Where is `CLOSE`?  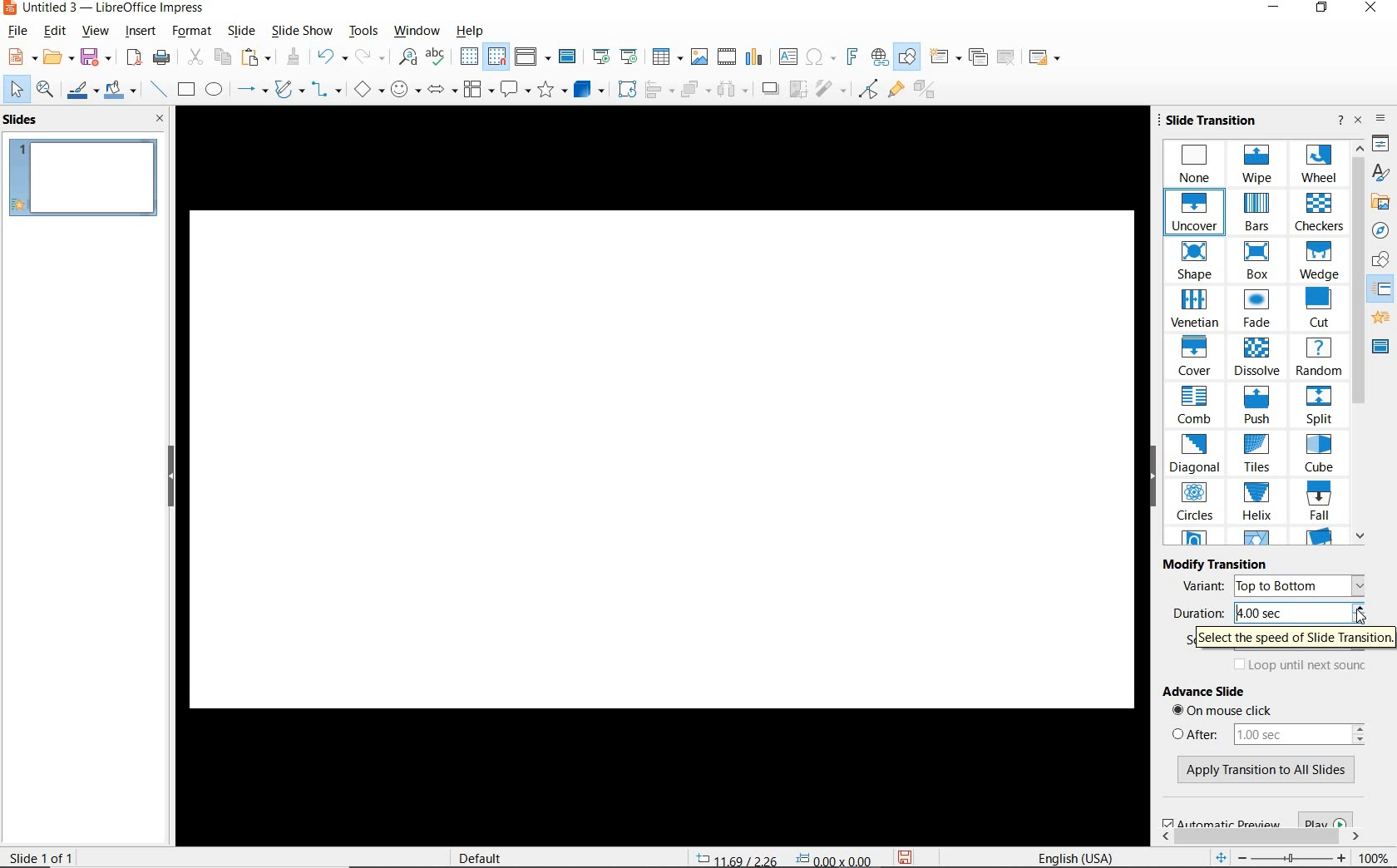 CLOSE is located at coordinates (1372, 10).